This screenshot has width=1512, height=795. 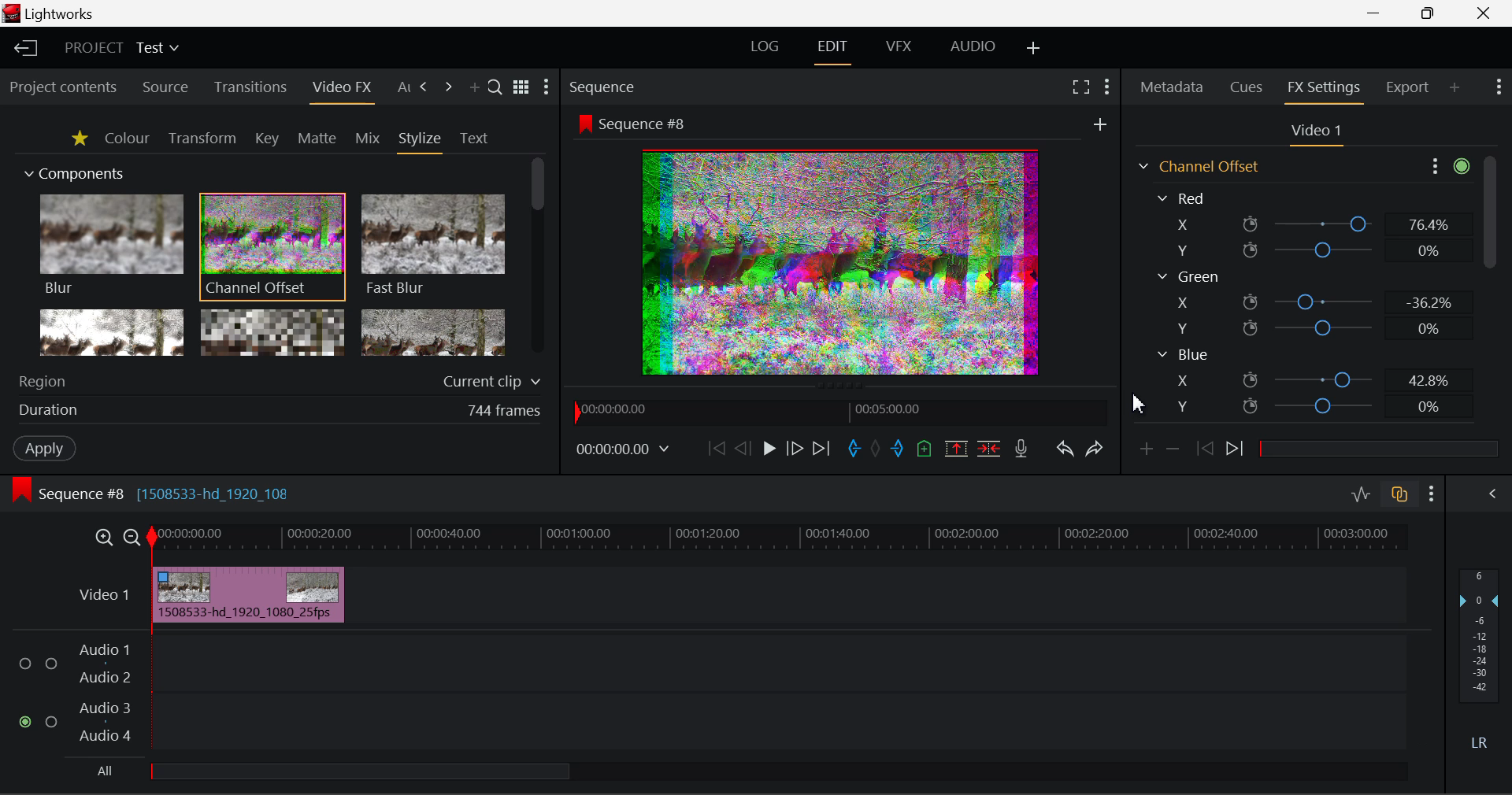 I want to click on Show Settings, so click(x=1447, y=167).